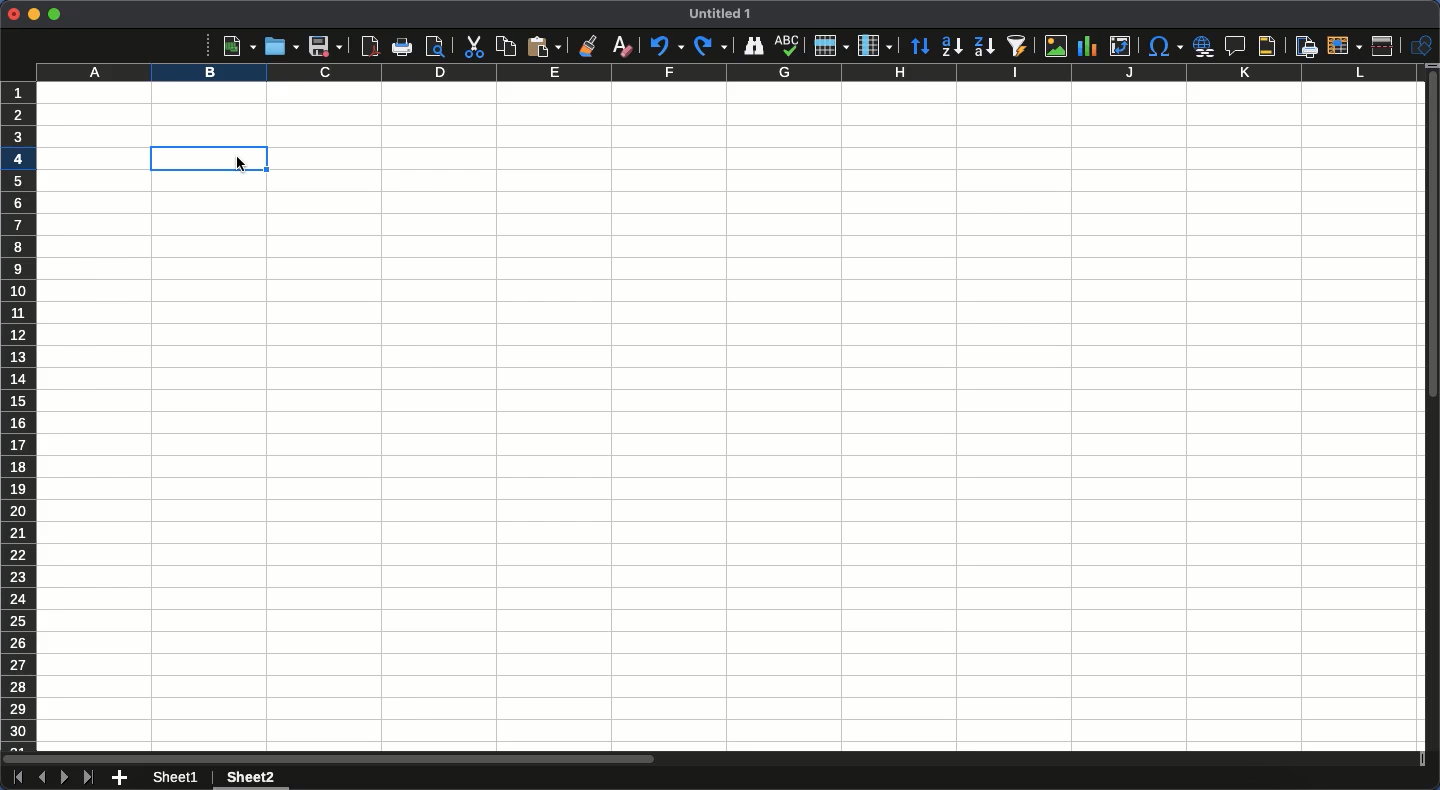  What do you see at coordinates (238, 165) in the screenshot?
I see `cursor` at bounding box center [238, 165].